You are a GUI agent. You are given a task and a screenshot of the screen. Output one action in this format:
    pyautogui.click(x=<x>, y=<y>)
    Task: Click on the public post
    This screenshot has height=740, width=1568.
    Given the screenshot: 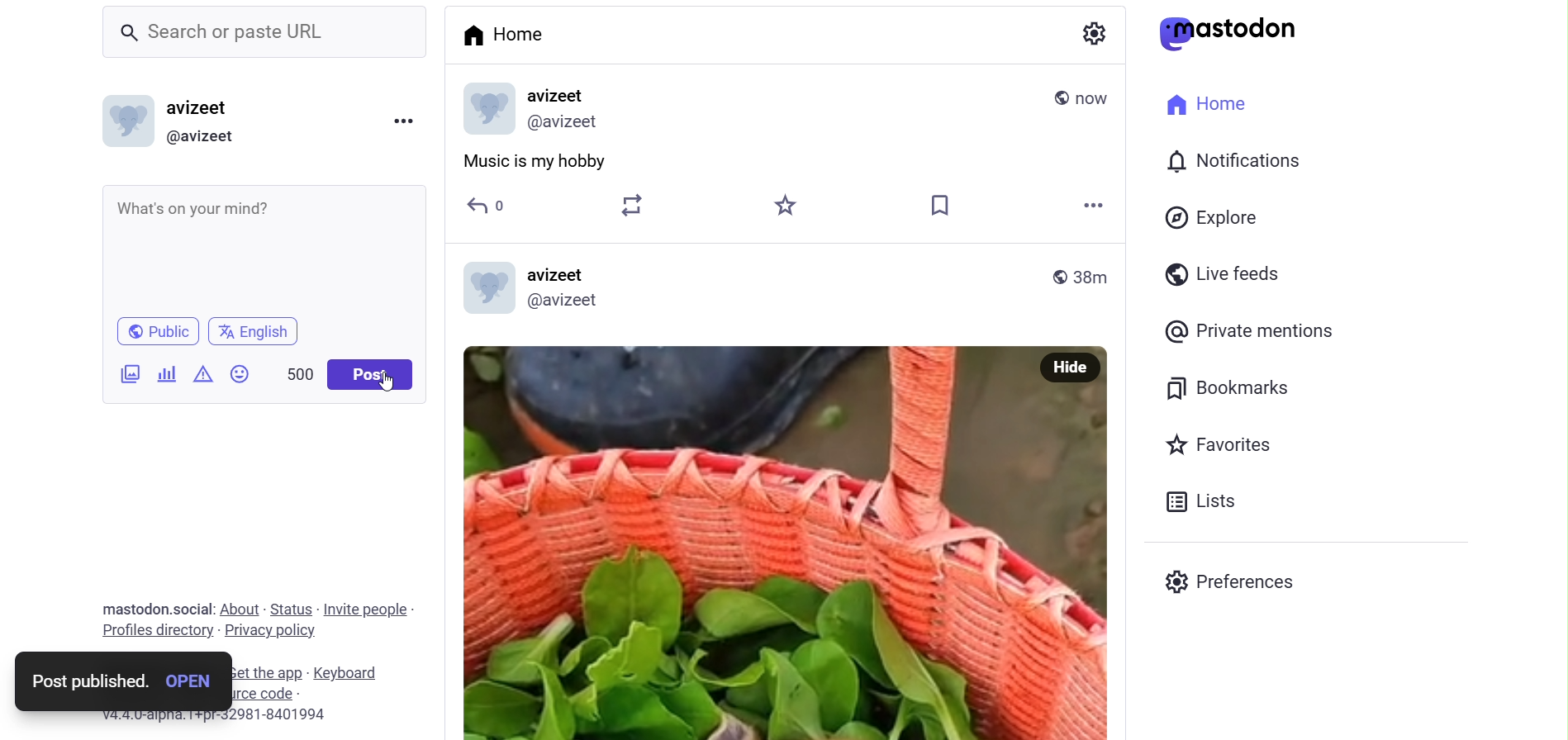 What is the action you would take?
    pyautogui.click(x=1048, y=277)
    